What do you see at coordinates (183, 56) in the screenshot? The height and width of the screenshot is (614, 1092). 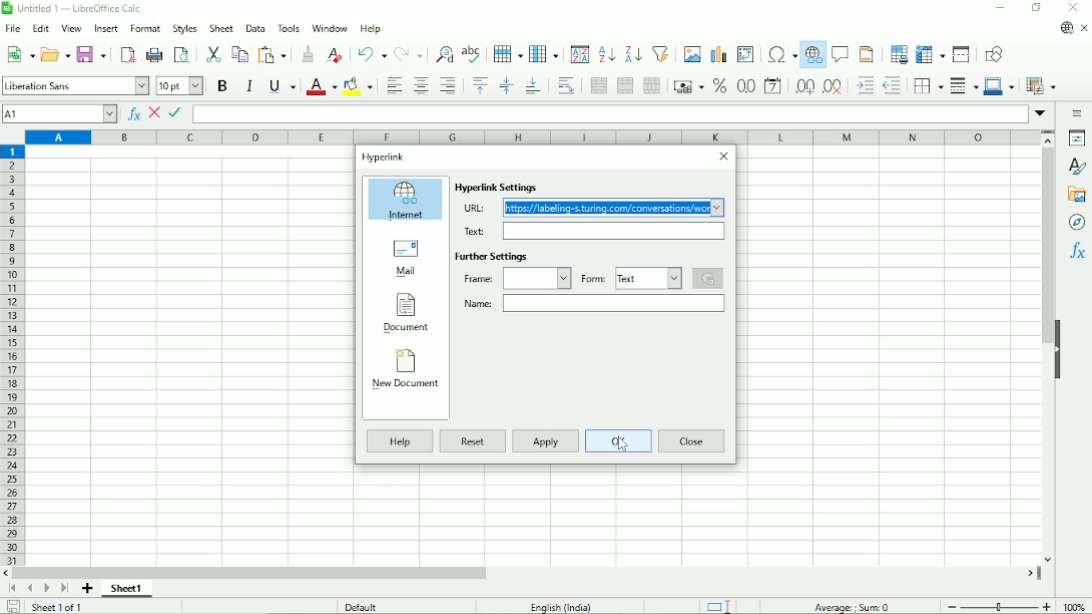 I see `Toggle print preview` at bounding box center [183, 56].